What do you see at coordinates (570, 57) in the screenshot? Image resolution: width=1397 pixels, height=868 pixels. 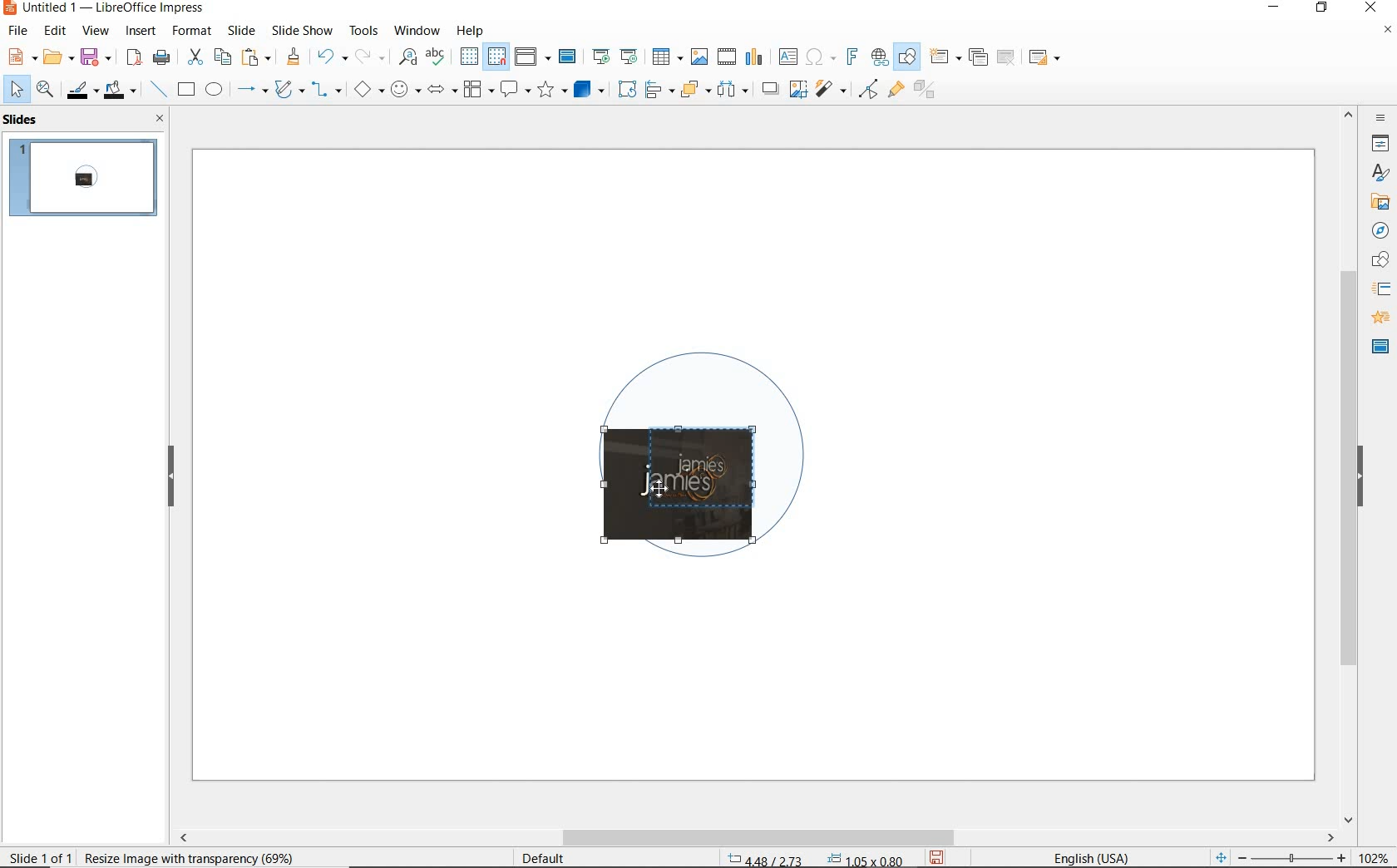 I see `master slide` at bounding box center [570, 57].